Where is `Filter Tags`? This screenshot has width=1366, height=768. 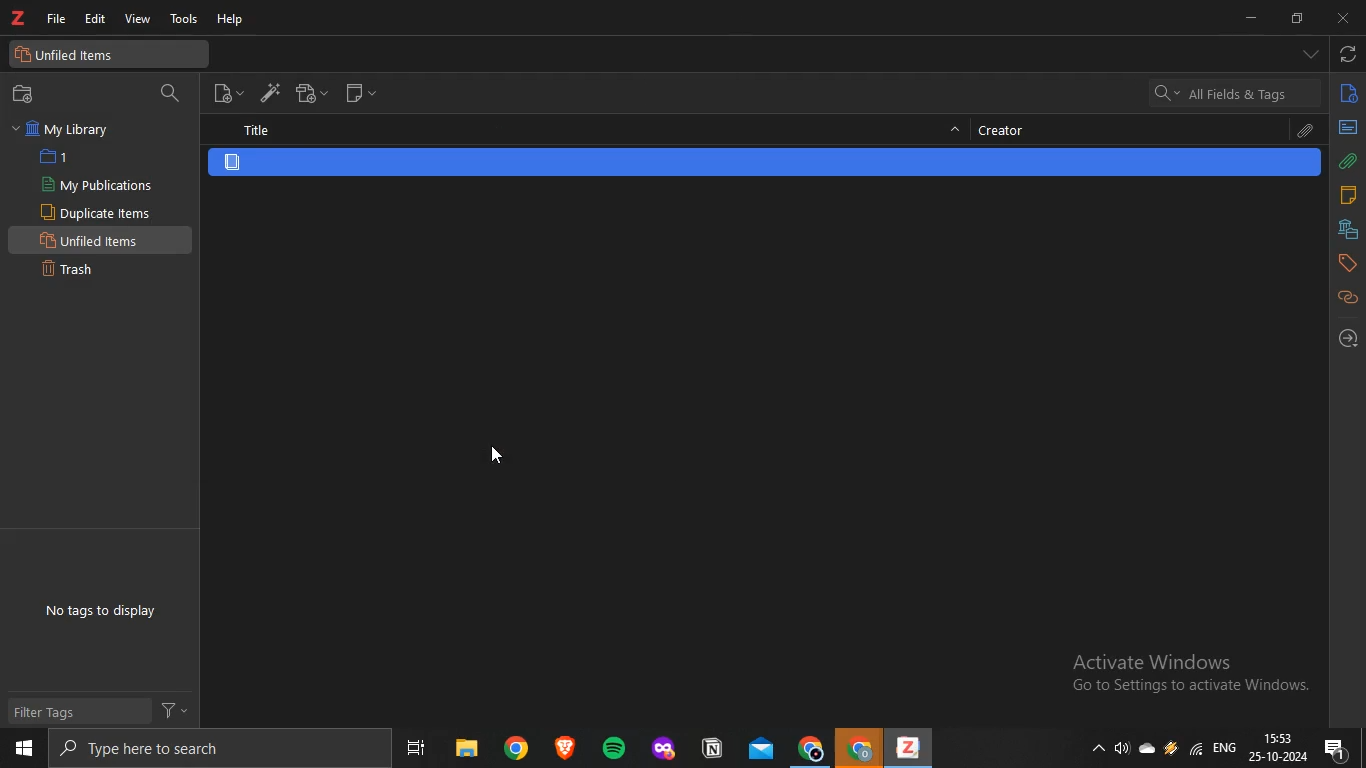 Filter Tags is located at coordinates (58, 712).